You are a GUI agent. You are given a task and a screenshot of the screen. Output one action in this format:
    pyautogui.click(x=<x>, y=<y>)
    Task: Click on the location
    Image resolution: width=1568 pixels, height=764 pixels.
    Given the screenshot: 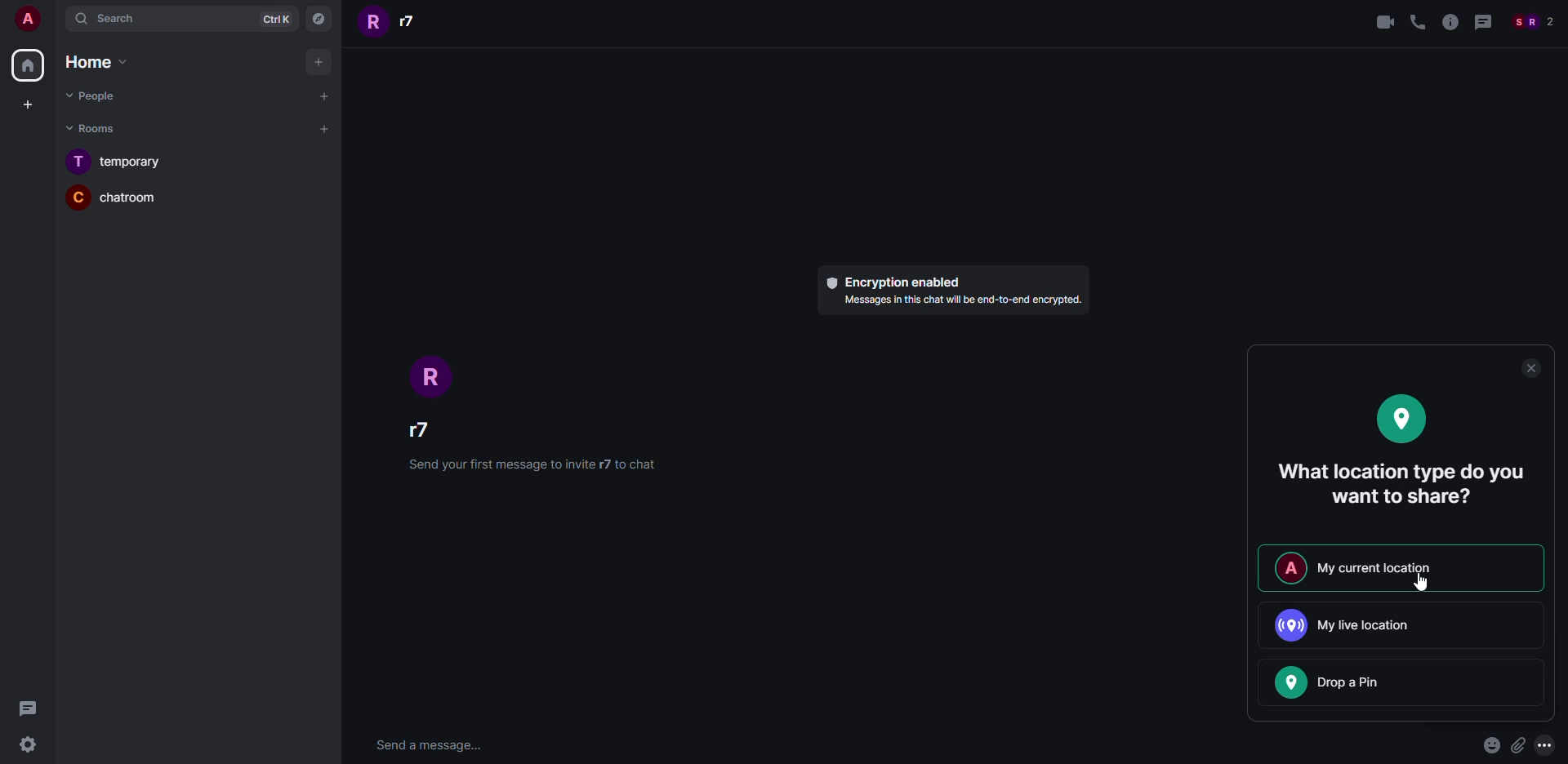 What is the action you would take?
    pyautogui.click(x=1391, y=418)
    